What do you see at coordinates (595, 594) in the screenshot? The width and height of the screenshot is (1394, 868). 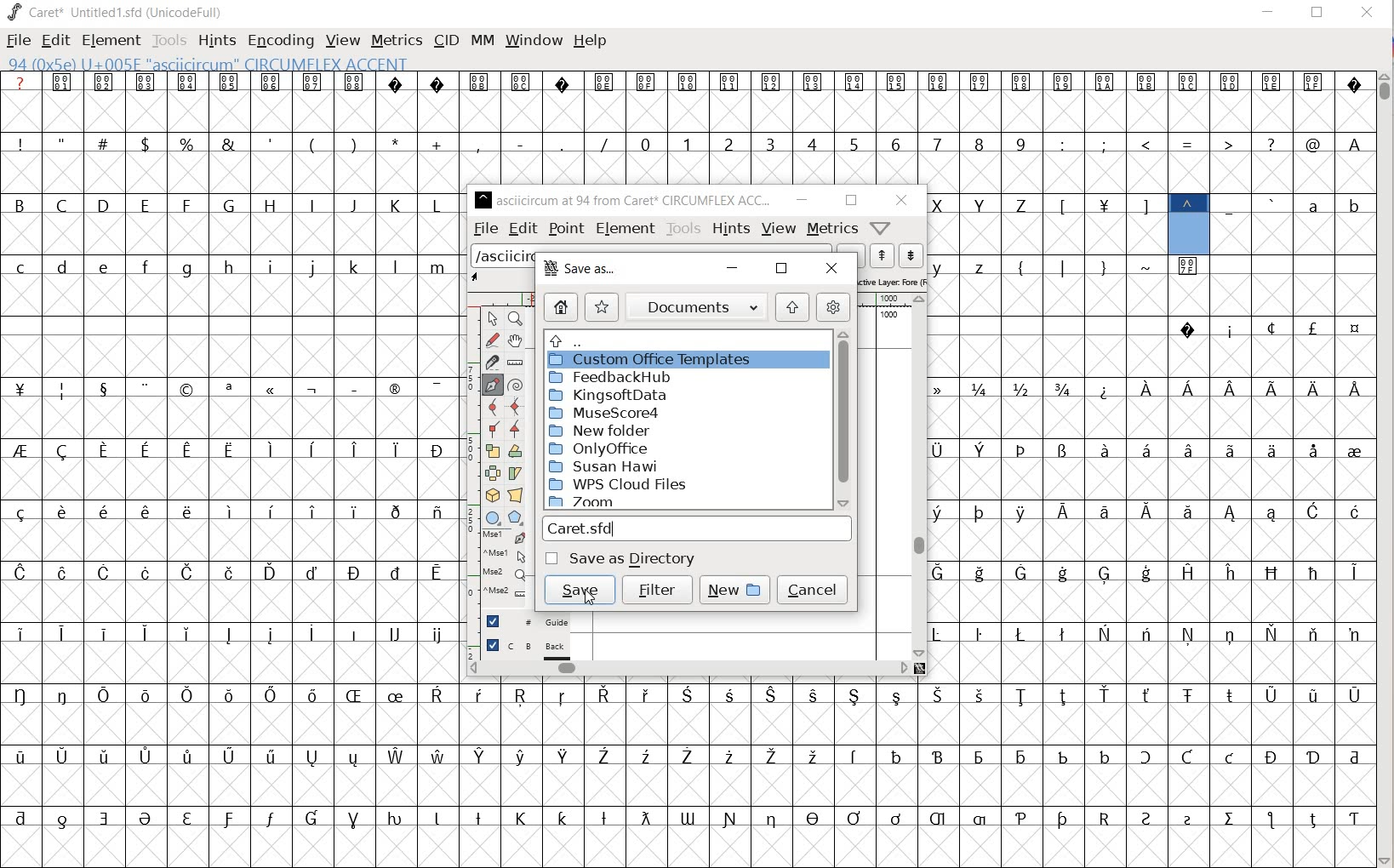 I see `cursor` at bounding box center [595, 594].